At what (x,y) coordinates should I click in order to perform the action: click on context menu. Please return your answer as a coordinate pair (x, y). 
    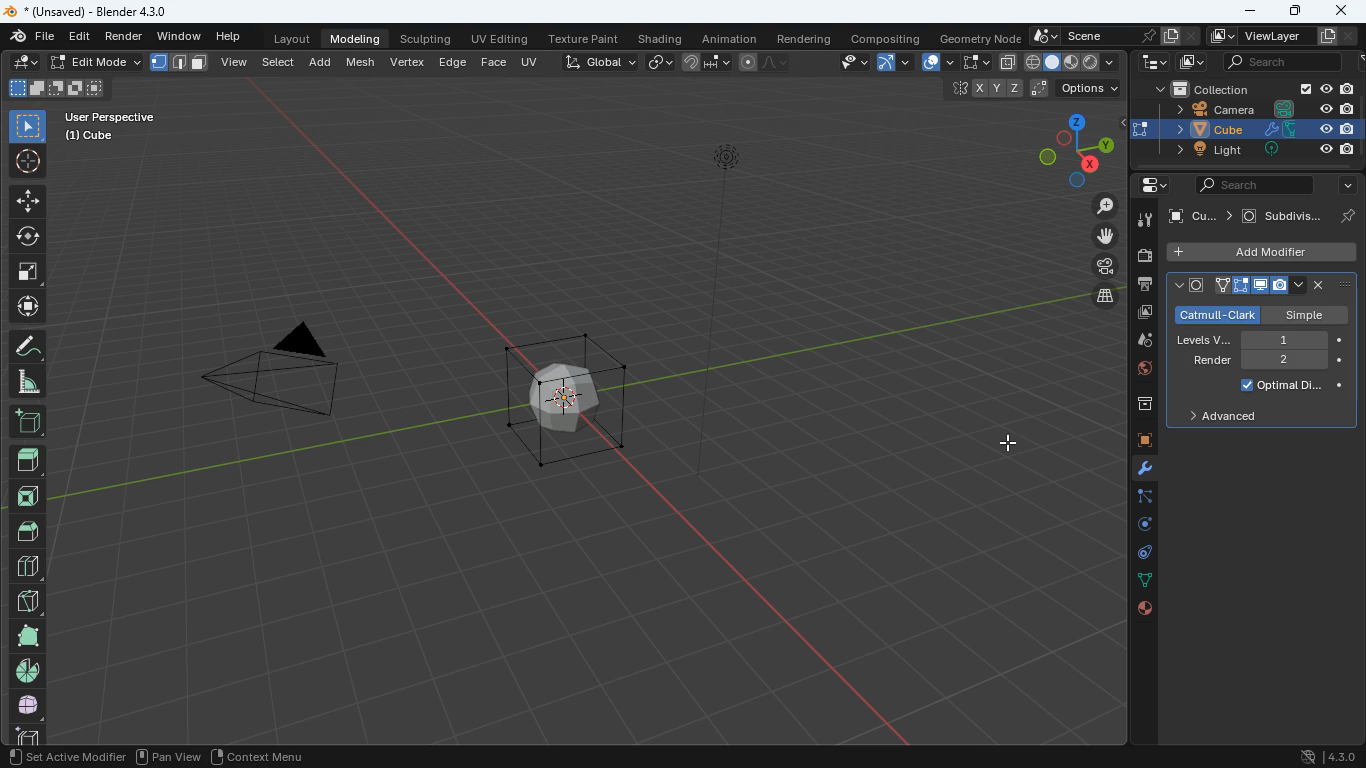
    Looking at the image, I should click on (264, 756).